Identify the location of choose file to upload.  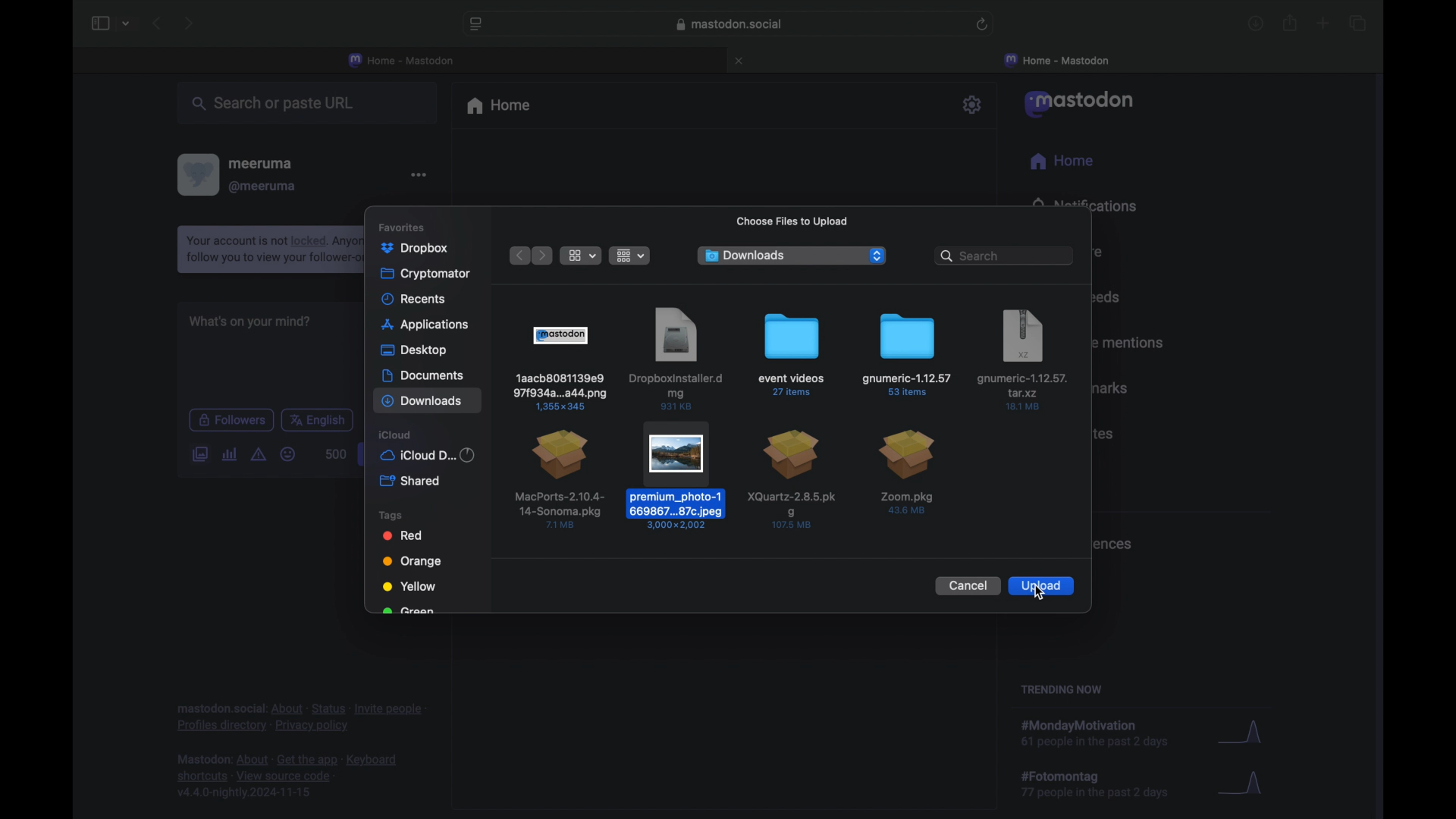
(793, 221).